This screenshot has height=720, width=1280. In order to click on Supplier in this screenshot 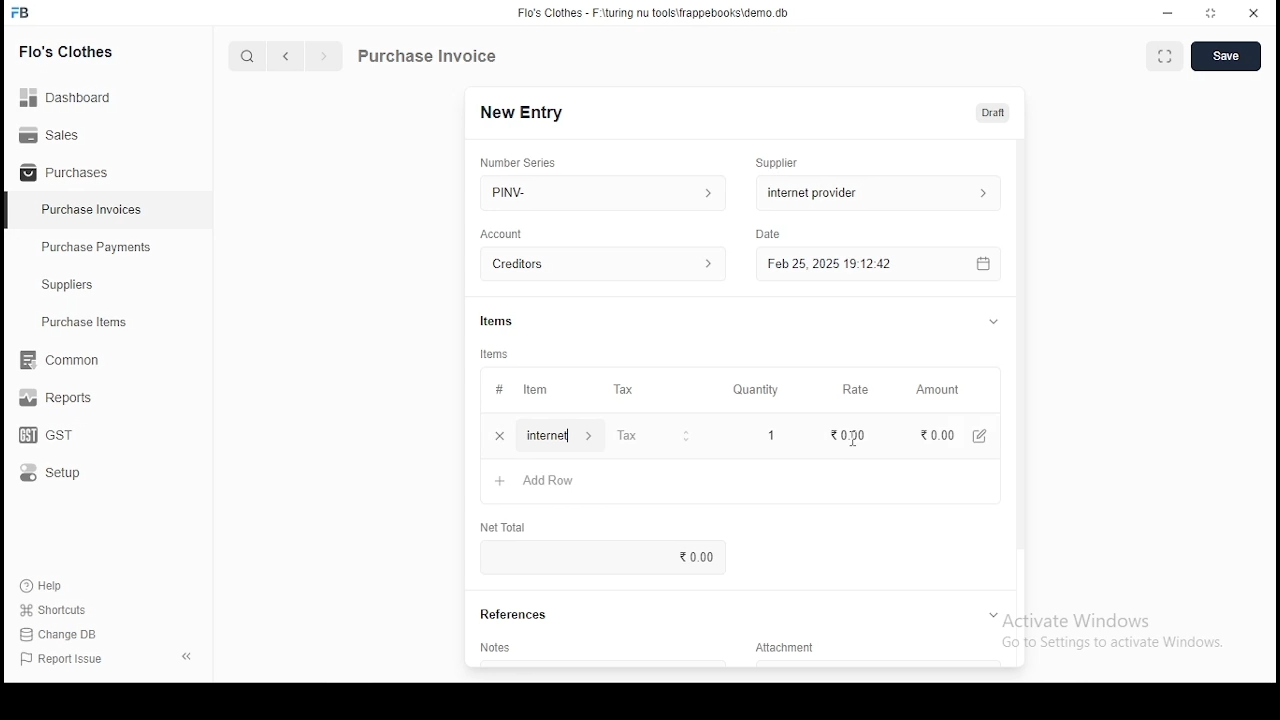, I will do `click(778, 163)`.